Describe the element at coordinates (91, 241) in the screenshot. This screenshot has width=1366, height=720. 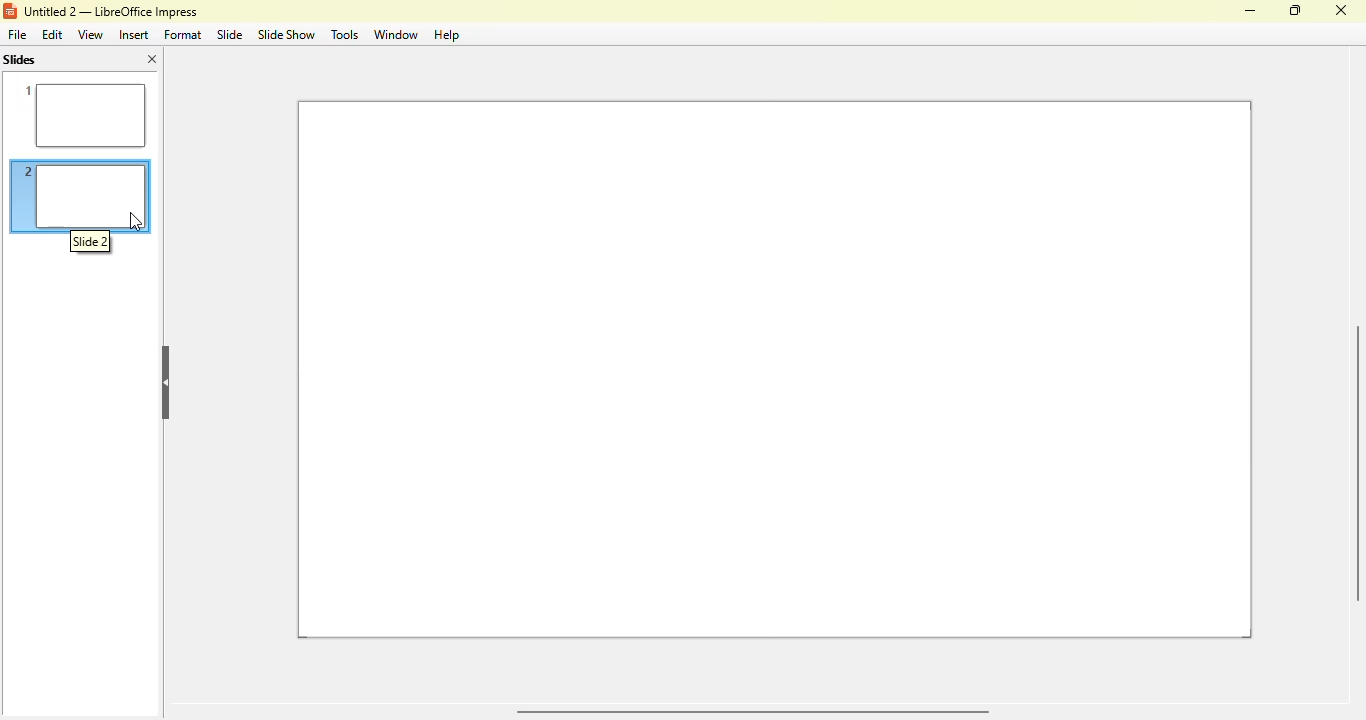
I see `slide 2` at that location.